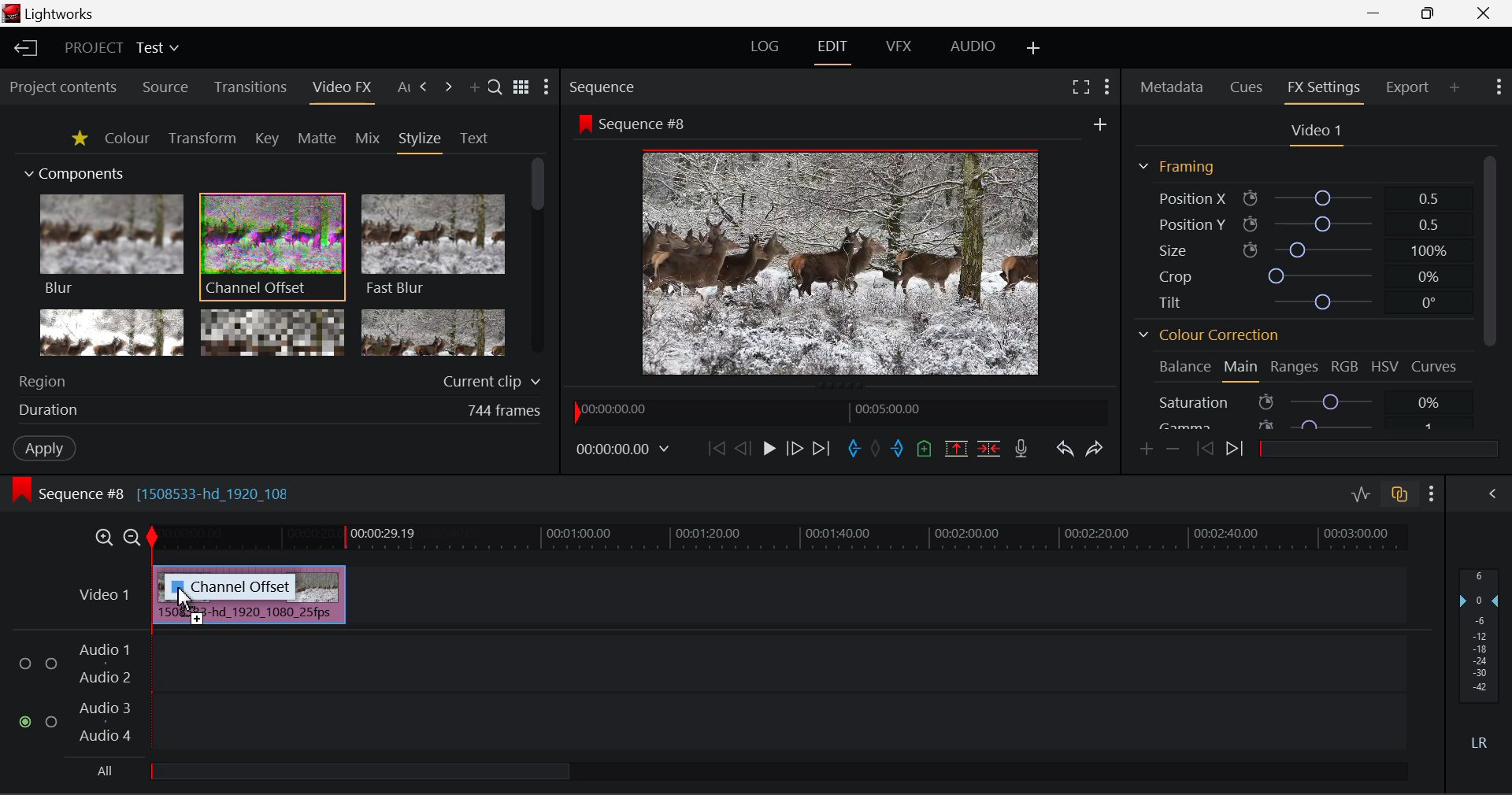 This screenshot has width=1512, height=795. I want to click on Add Layout, so click(1034, 51).